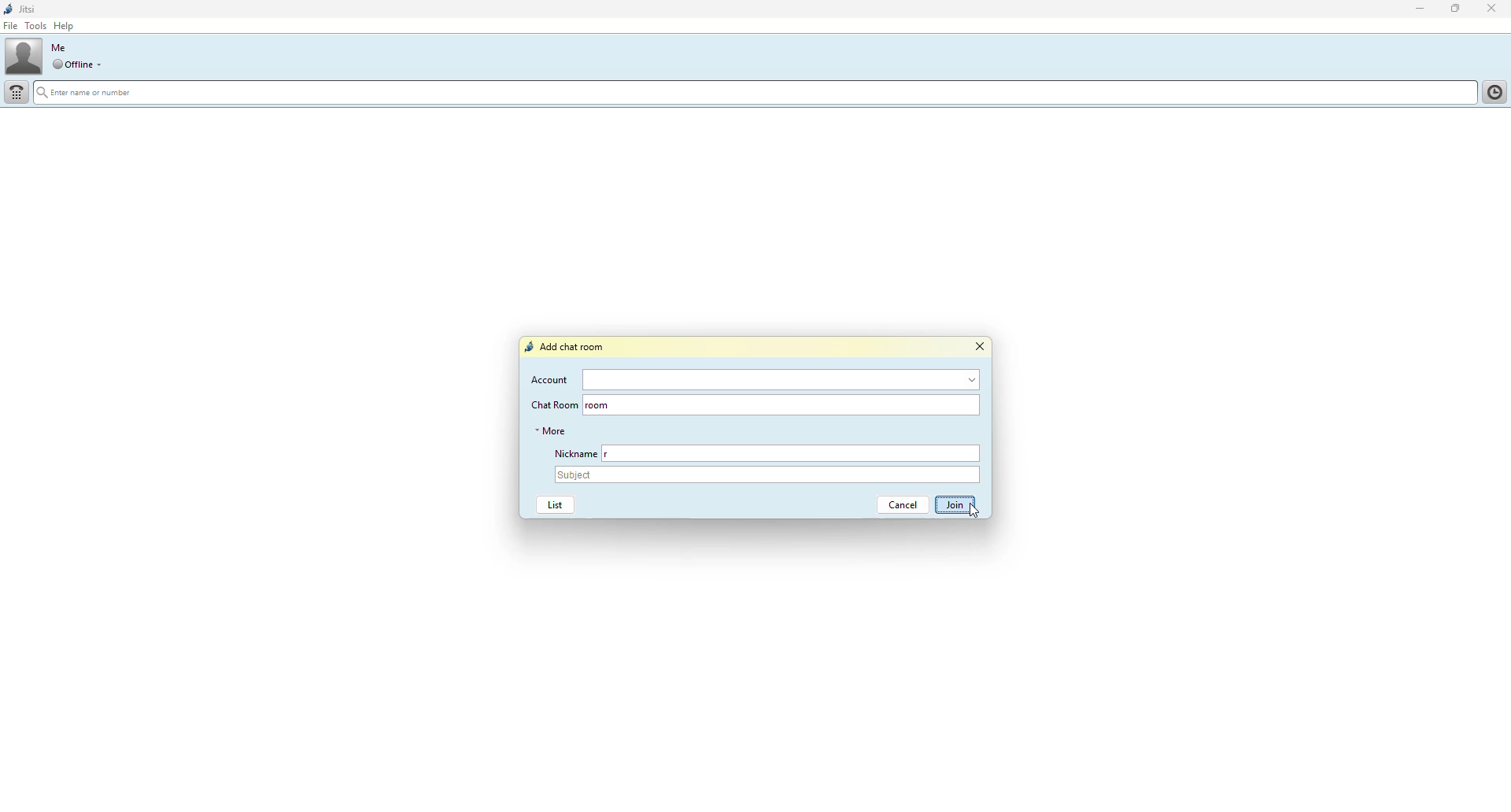  What do you see at coordinates (768, 475) in the screenshot?
I see `subject` at bounding box center [768, 475].